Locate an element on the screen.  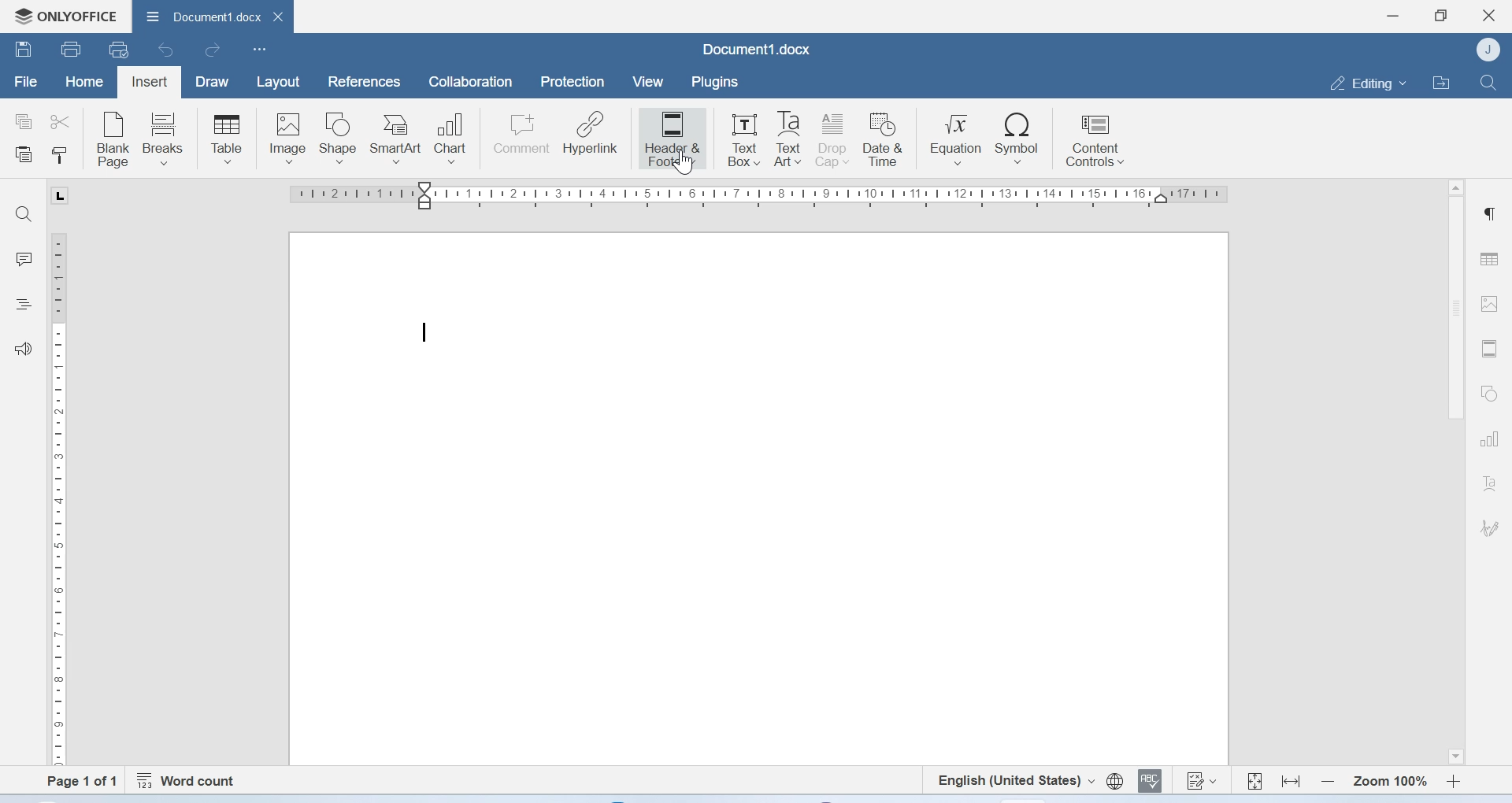
Word count is located at coordinates (190, 778).